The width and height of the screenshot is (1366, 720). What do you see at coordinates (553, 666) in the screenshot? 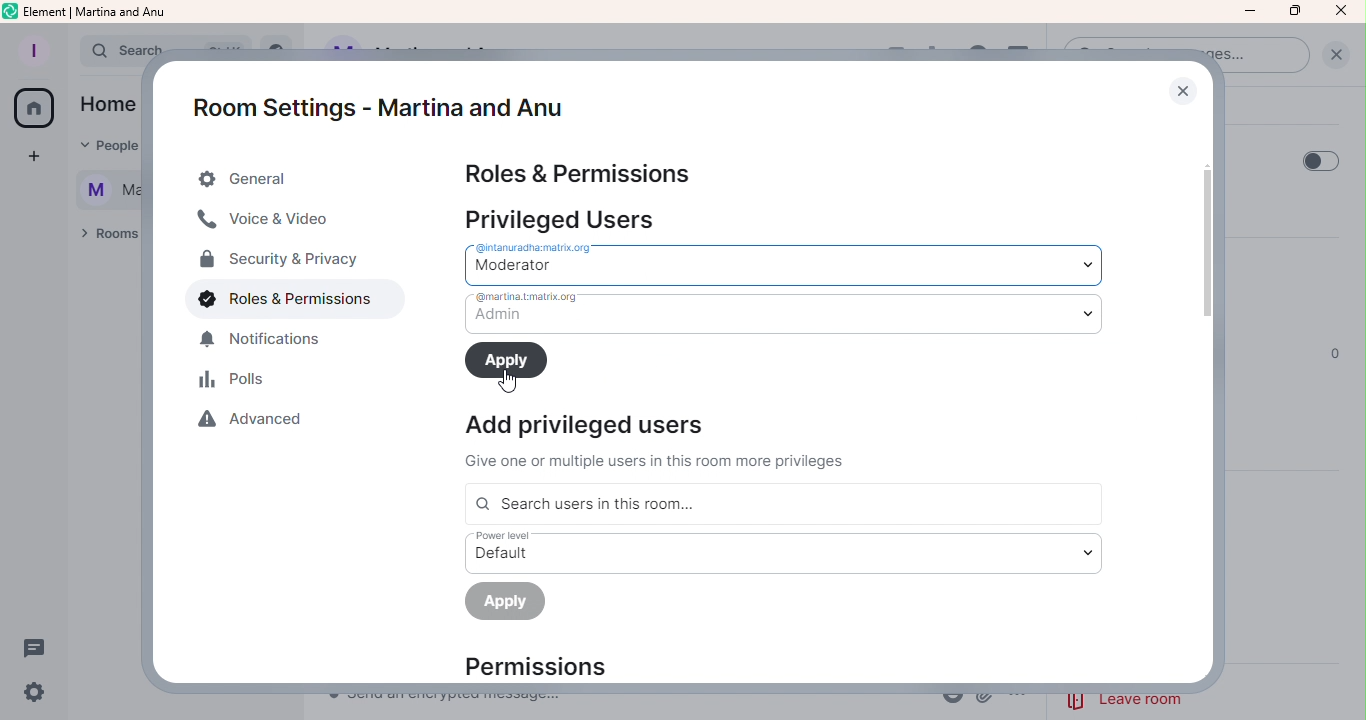
I see `Permissions` at bounding box center [553, 666].